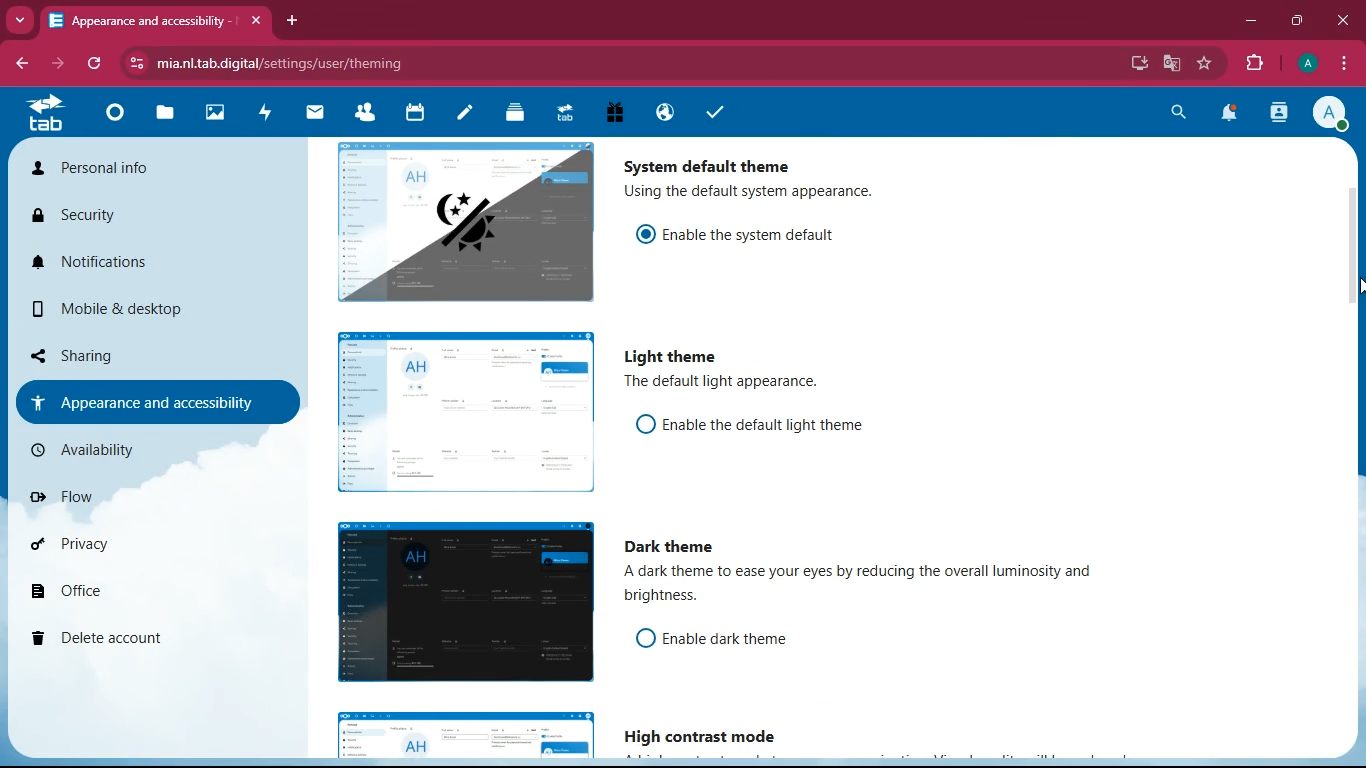 The width and height of the screenshot is (1366, 768). I want to click on tab, so click(44, 113).